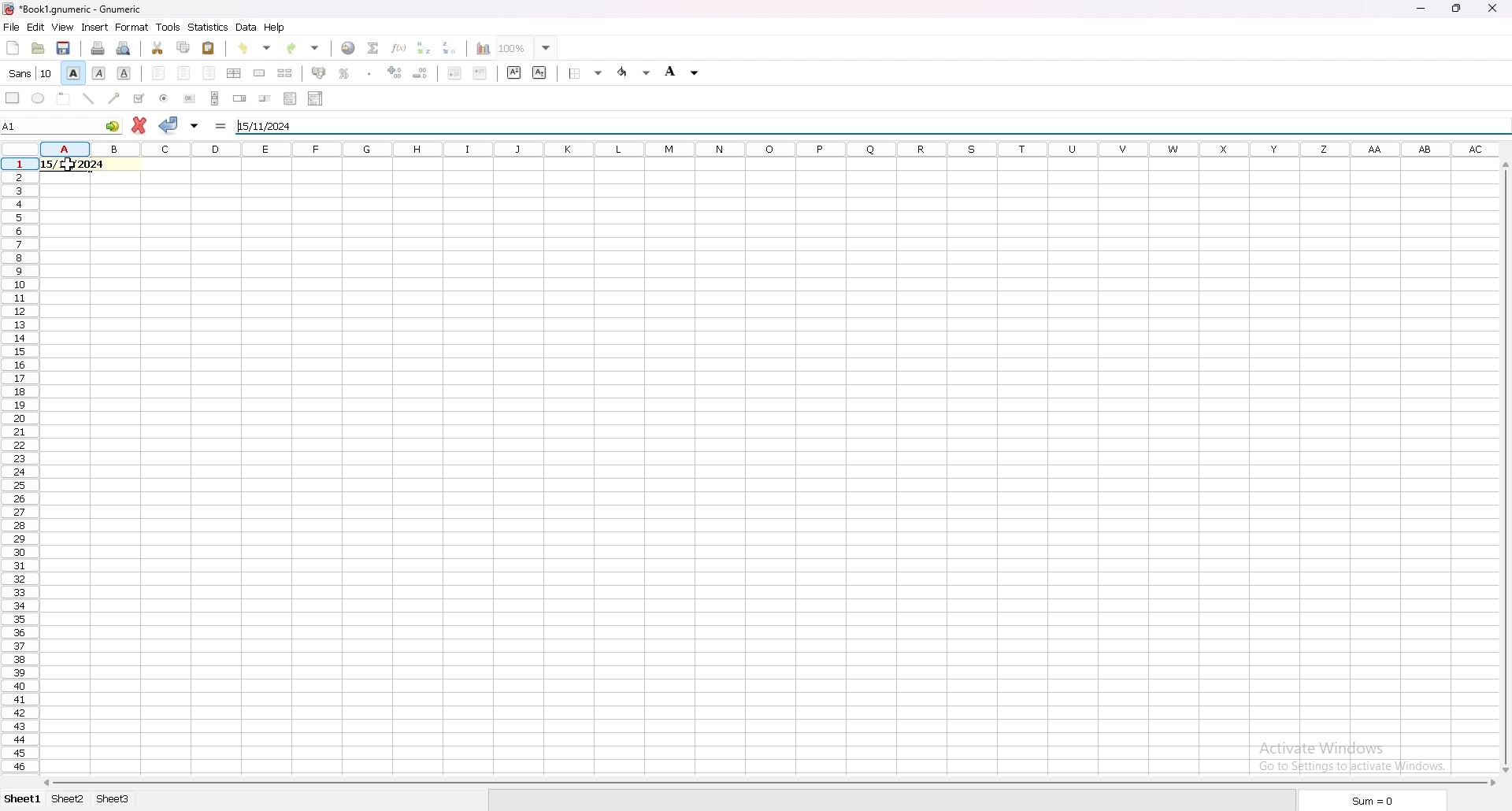 The height and width of the screenshot is (811, 1512). I want to click on sheet 2, so click(68, 799).